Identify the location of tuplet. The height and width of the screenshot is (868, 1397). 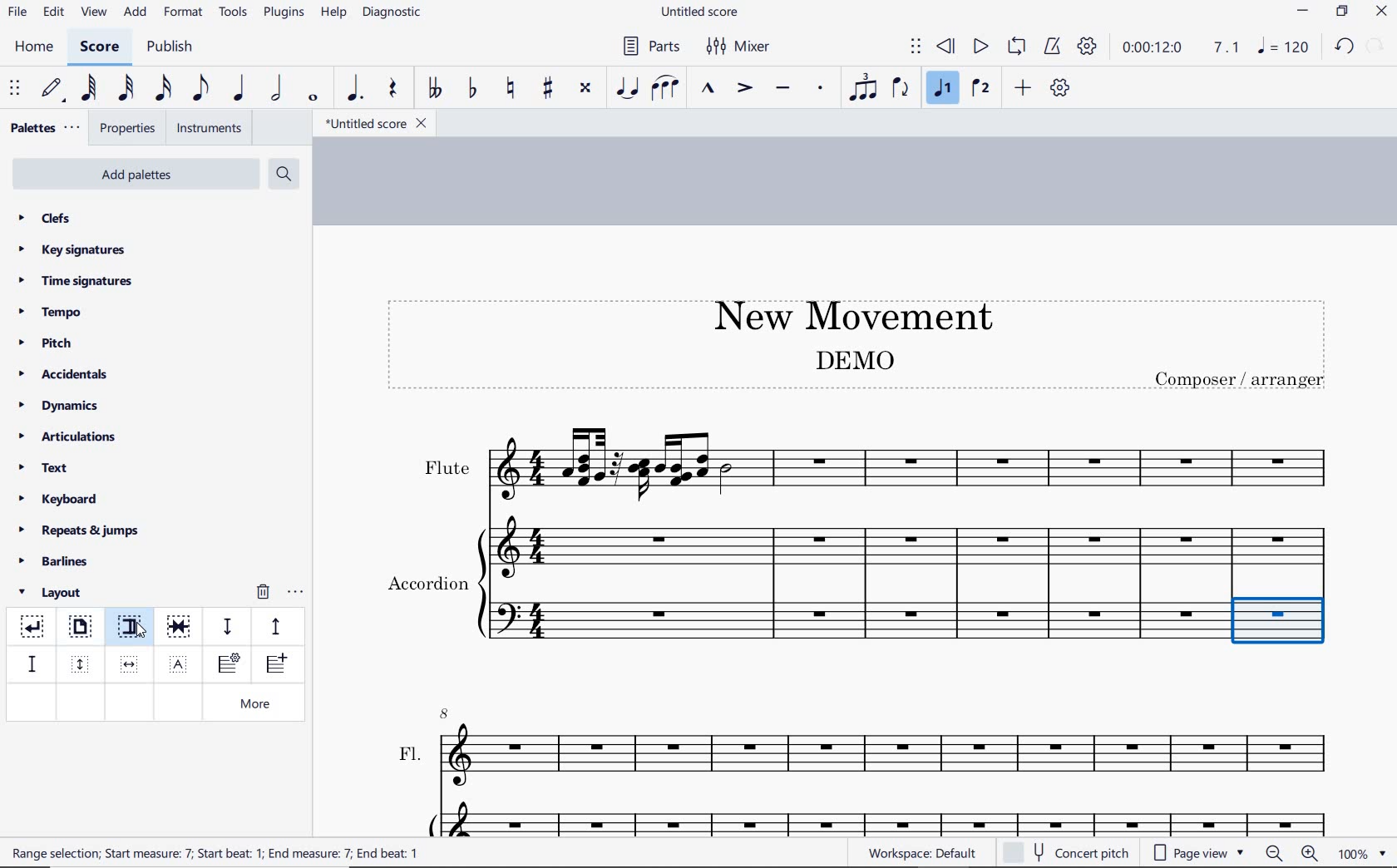
(860, 87).